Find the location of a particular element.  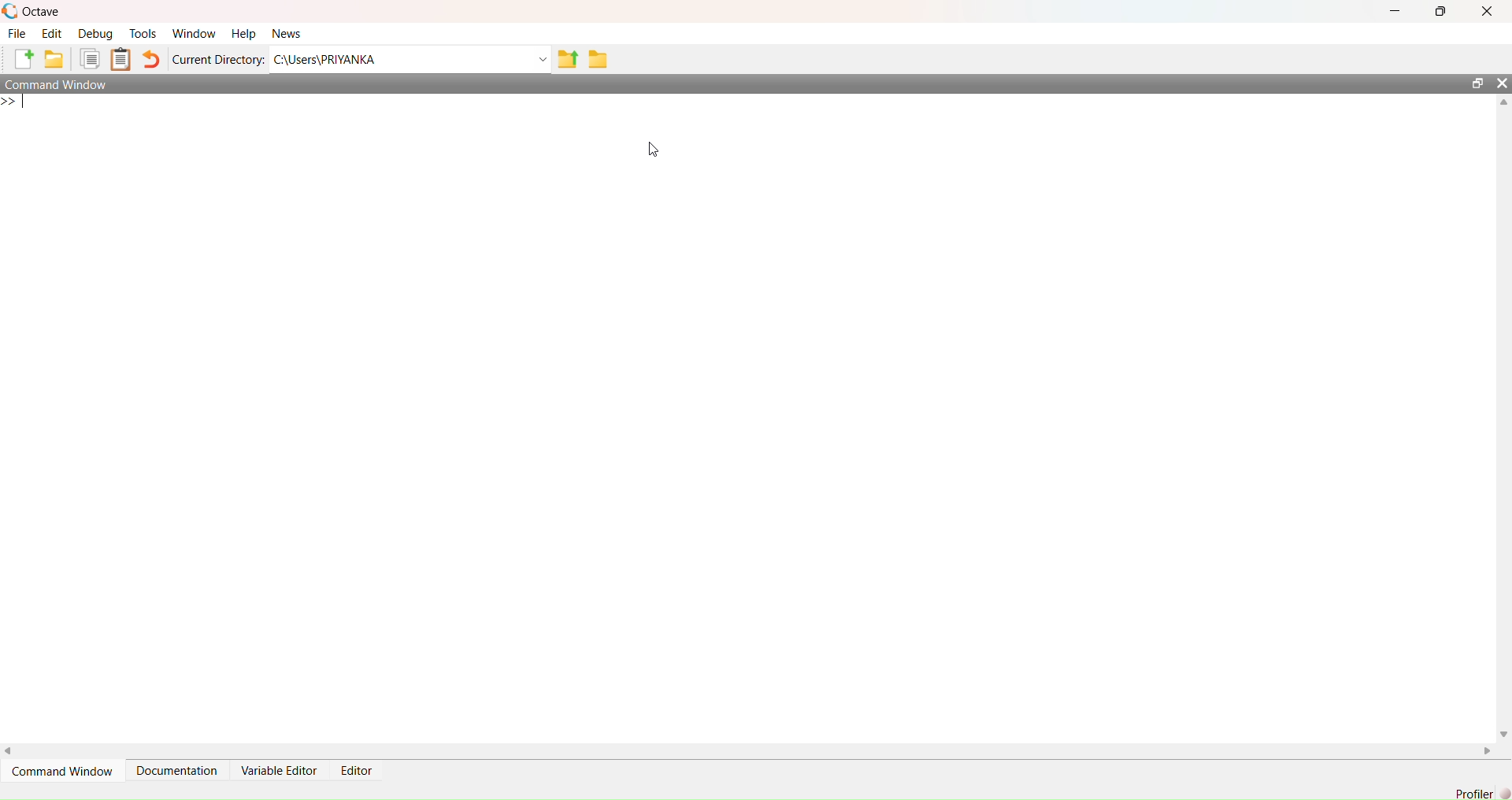

Profiler is located at coordinates (1474, 793).